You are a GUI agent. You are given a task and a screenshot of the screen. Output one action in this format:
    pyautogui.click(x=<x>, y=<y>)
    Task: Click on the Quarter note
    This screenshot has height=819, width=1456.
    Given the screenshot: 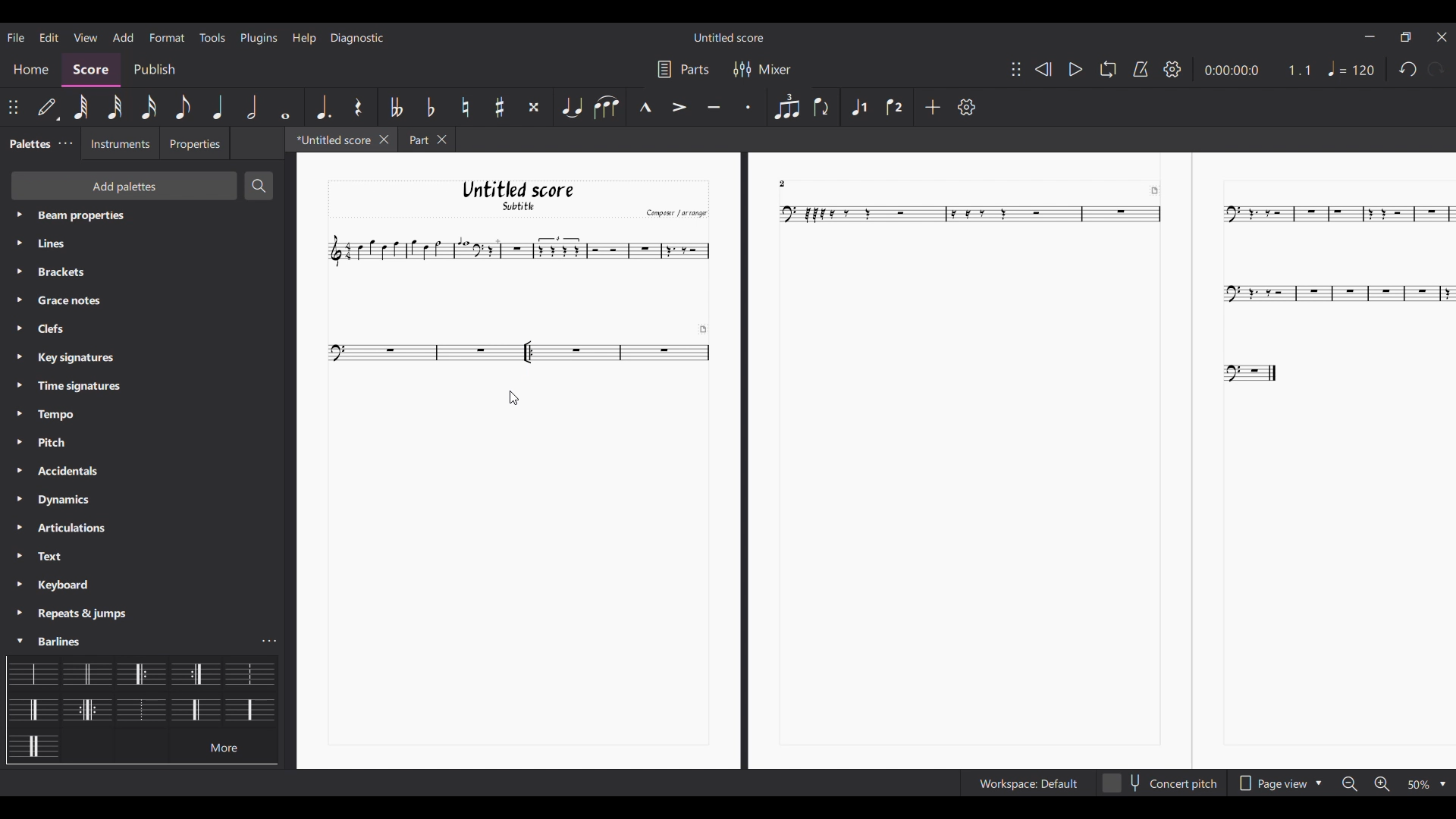 What is the action you would take?
    pyautogui.click(x=218, y=108)
    